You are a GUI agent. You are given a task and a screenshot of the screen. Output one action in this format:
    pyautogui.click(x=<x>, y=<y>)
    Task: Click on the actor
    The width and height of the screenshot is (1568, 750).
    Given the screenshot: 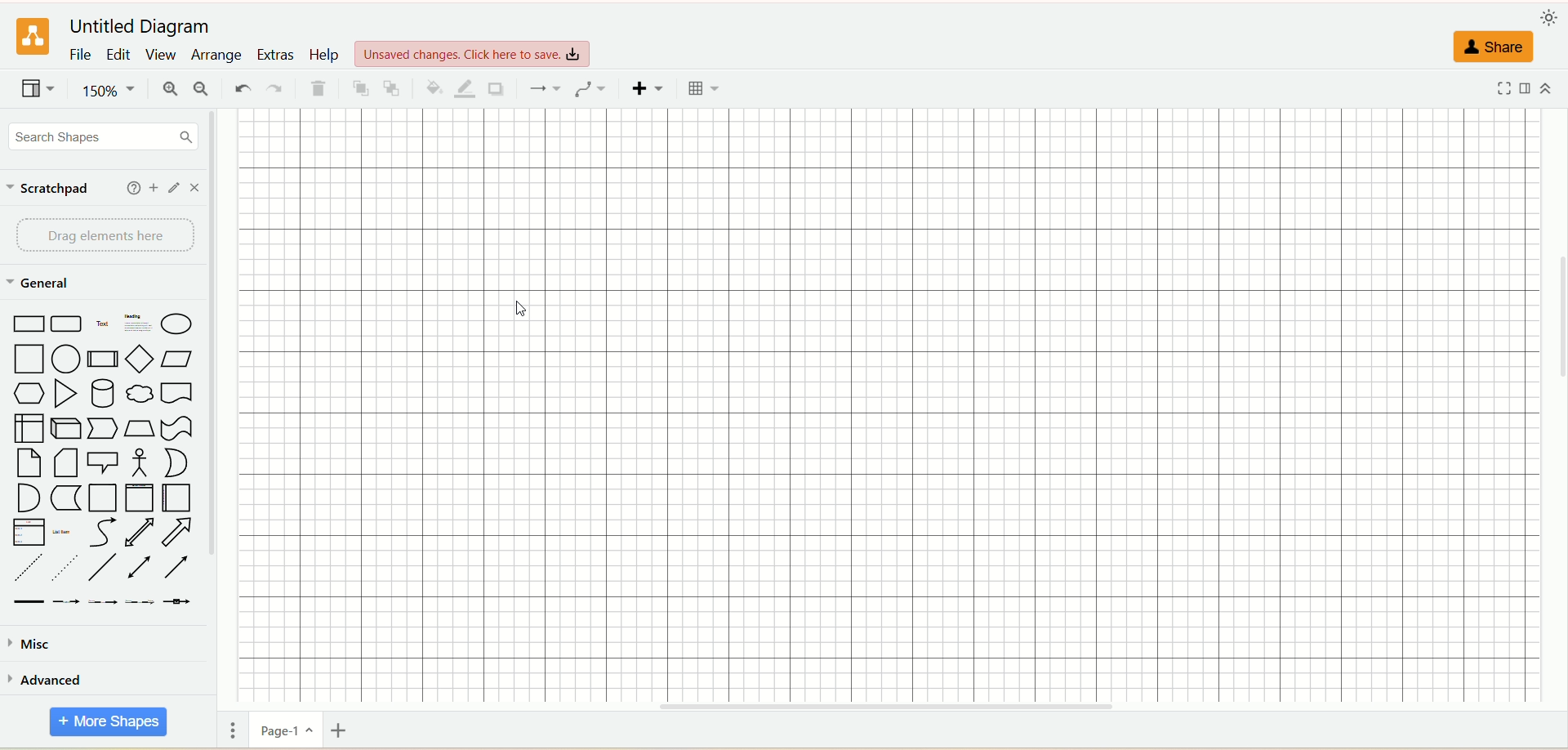 What is the action you would take?
    pyautogui.click(x=136, y=461)
    